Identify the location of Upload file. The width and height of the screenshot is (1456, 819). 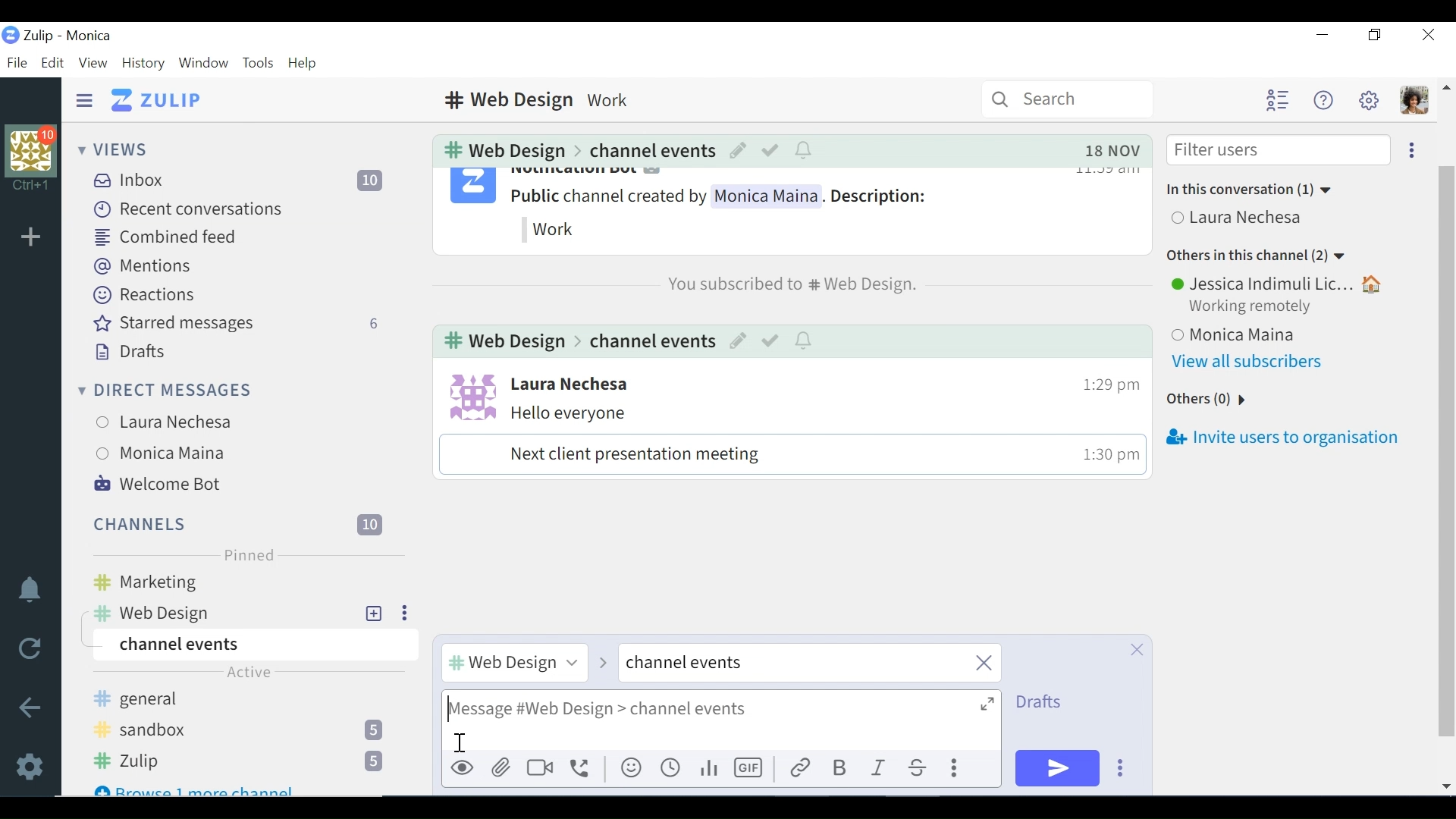
(503, 767).